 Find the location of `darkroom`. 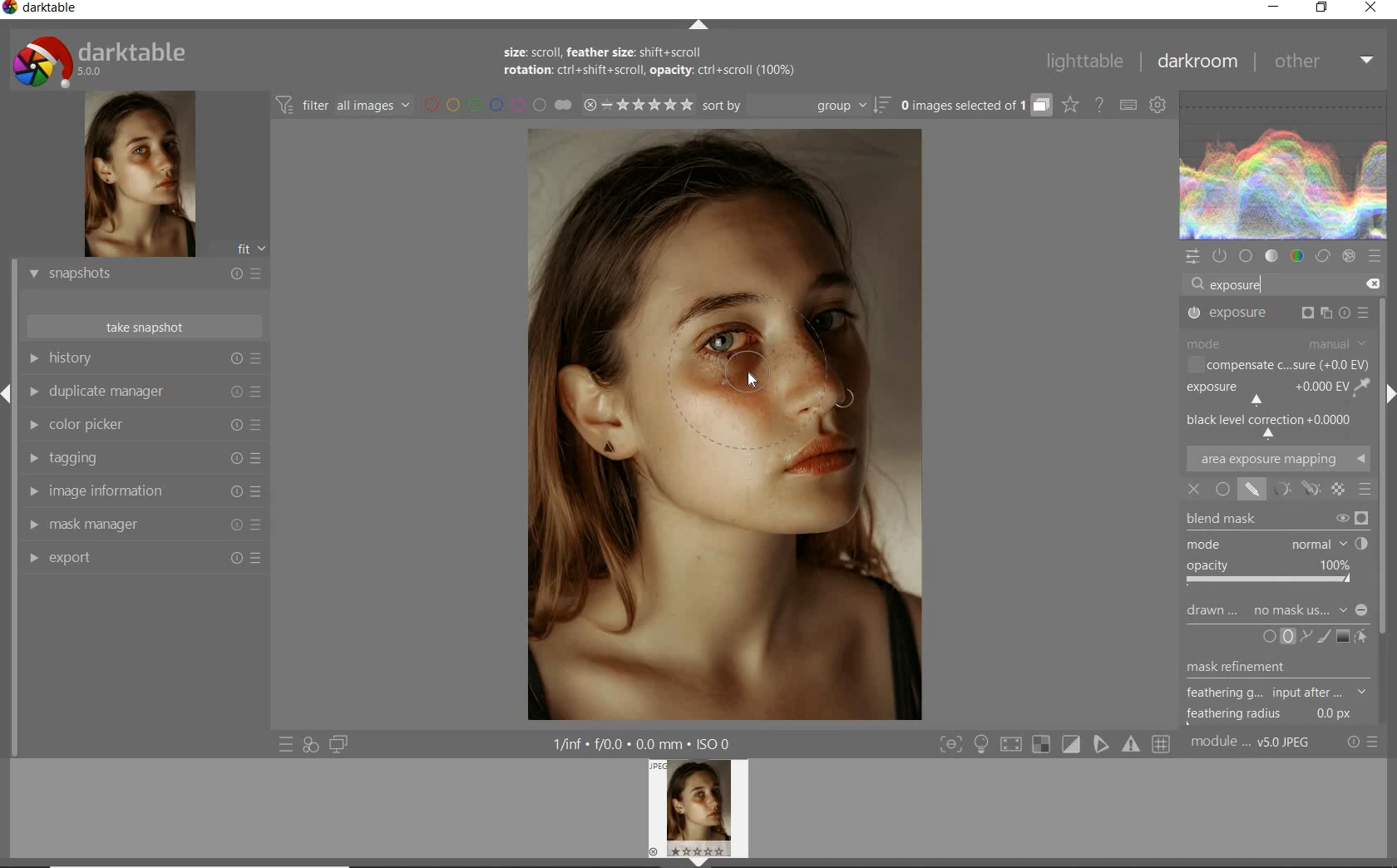

darkroom is located at coordinates (1195, 62).